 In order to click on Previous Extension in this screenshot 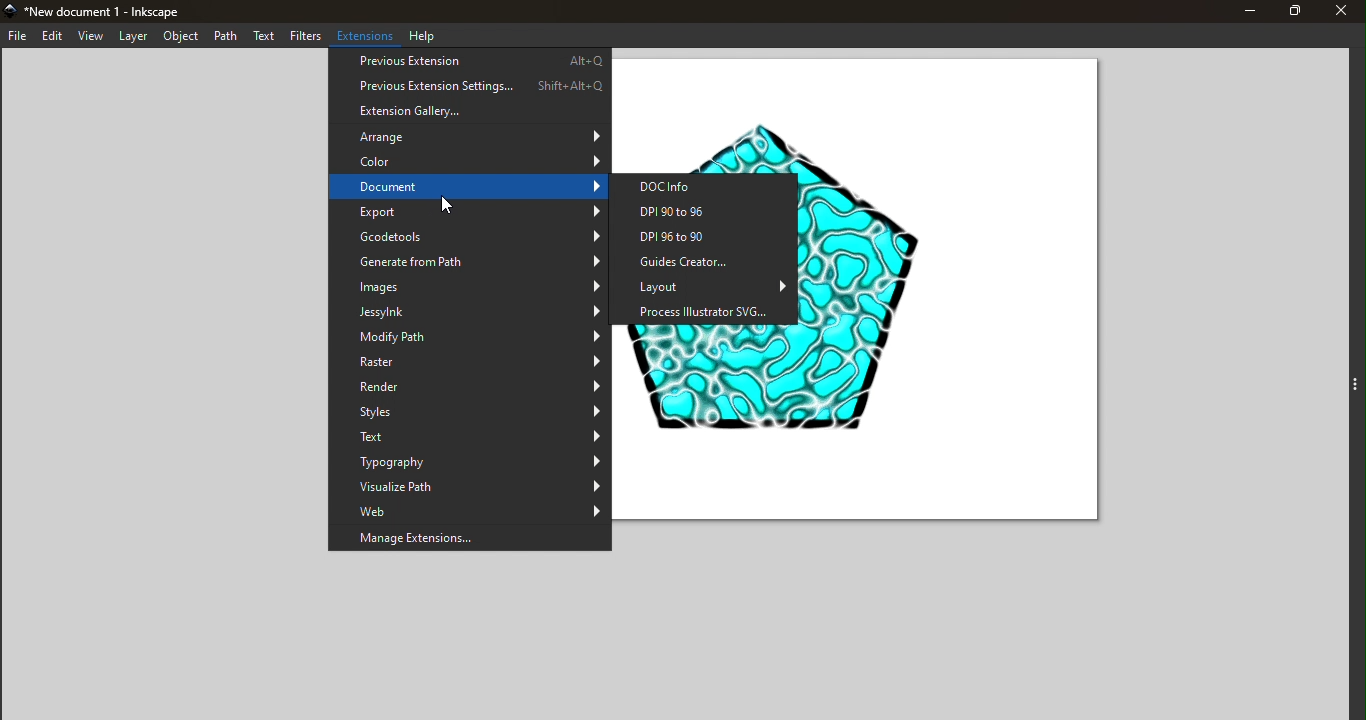, I will do `click(469, 60)`.